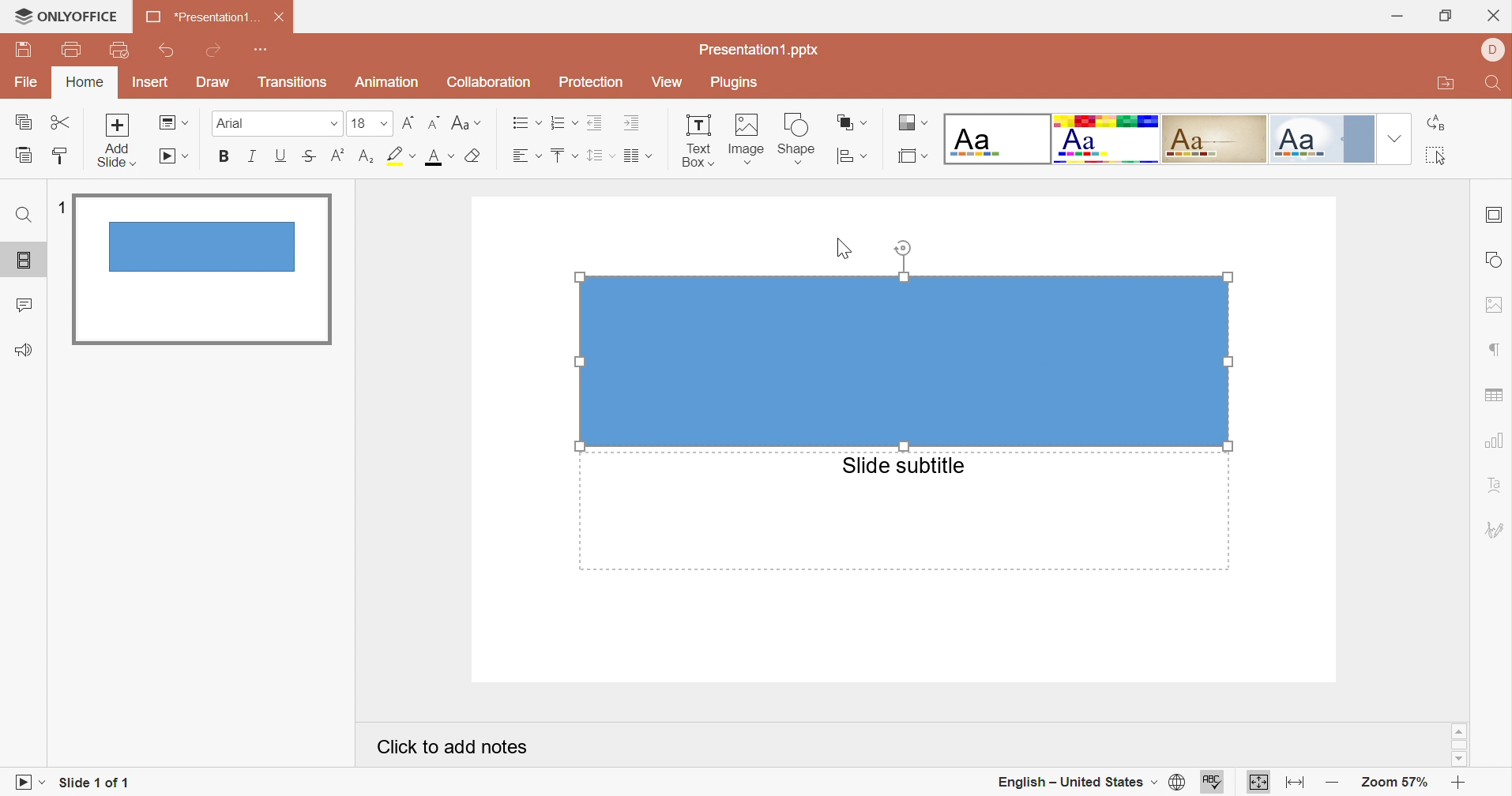  I want to click on Presentation1..., so click(201, 16).